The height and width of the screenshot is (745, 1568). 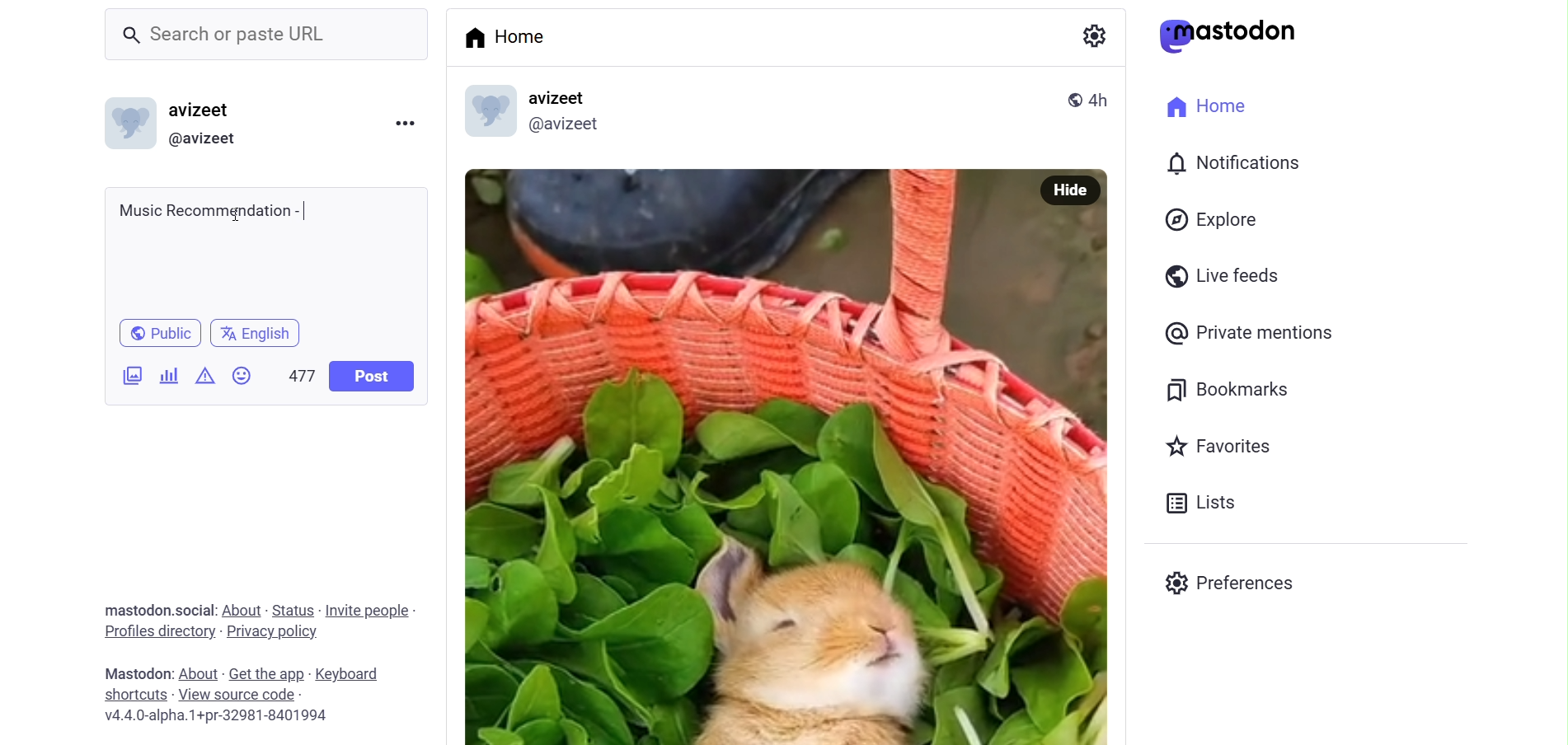 I want to click on invite people, so click(x=373, y=608).